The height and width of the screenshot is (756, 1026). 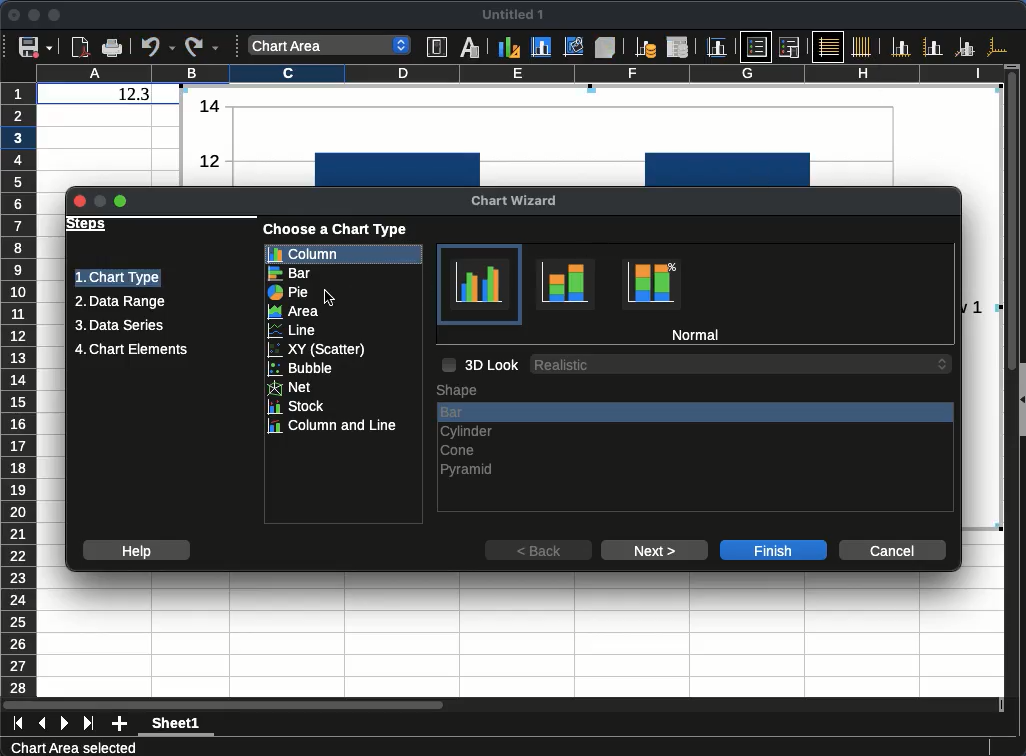 What do you see at coordinates (343, 349) in the screenshot?
I see `xy scatter` at bounding box center [343, 349].